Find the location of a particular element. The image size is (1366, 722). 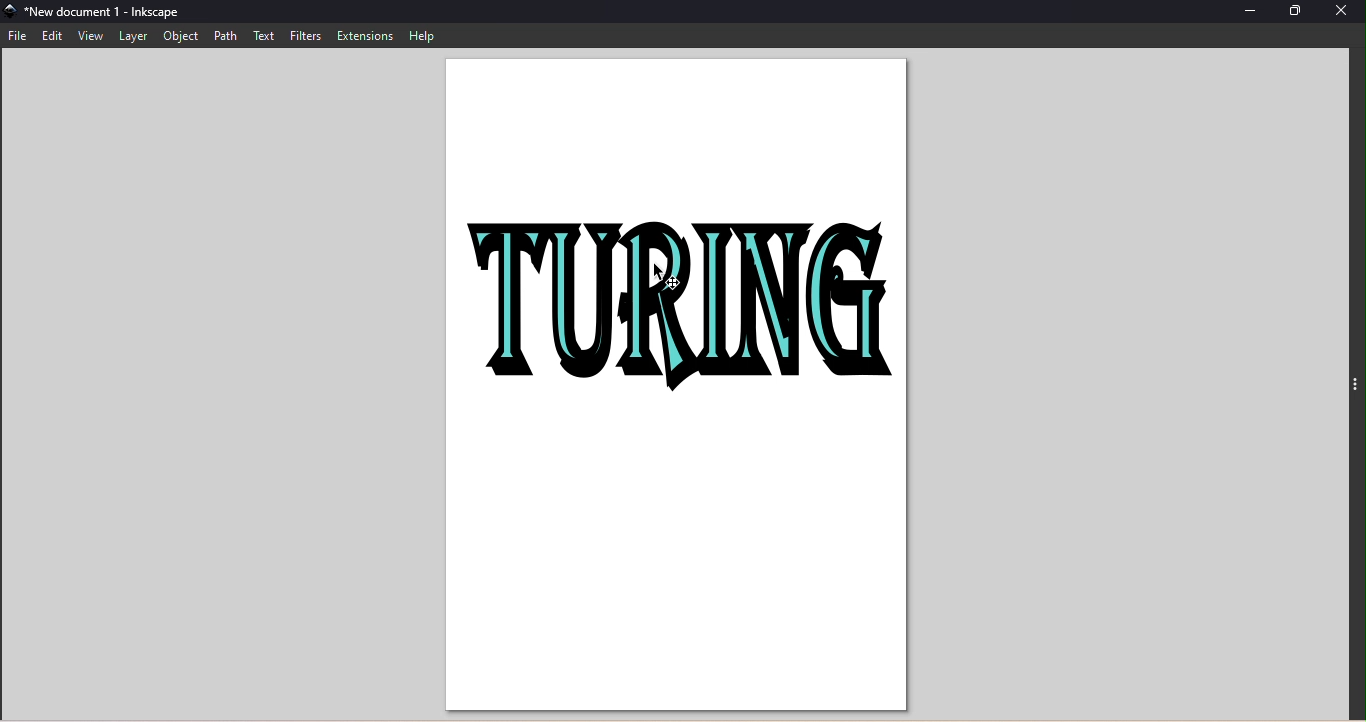

Canvas is located at coordinates (679, 387).